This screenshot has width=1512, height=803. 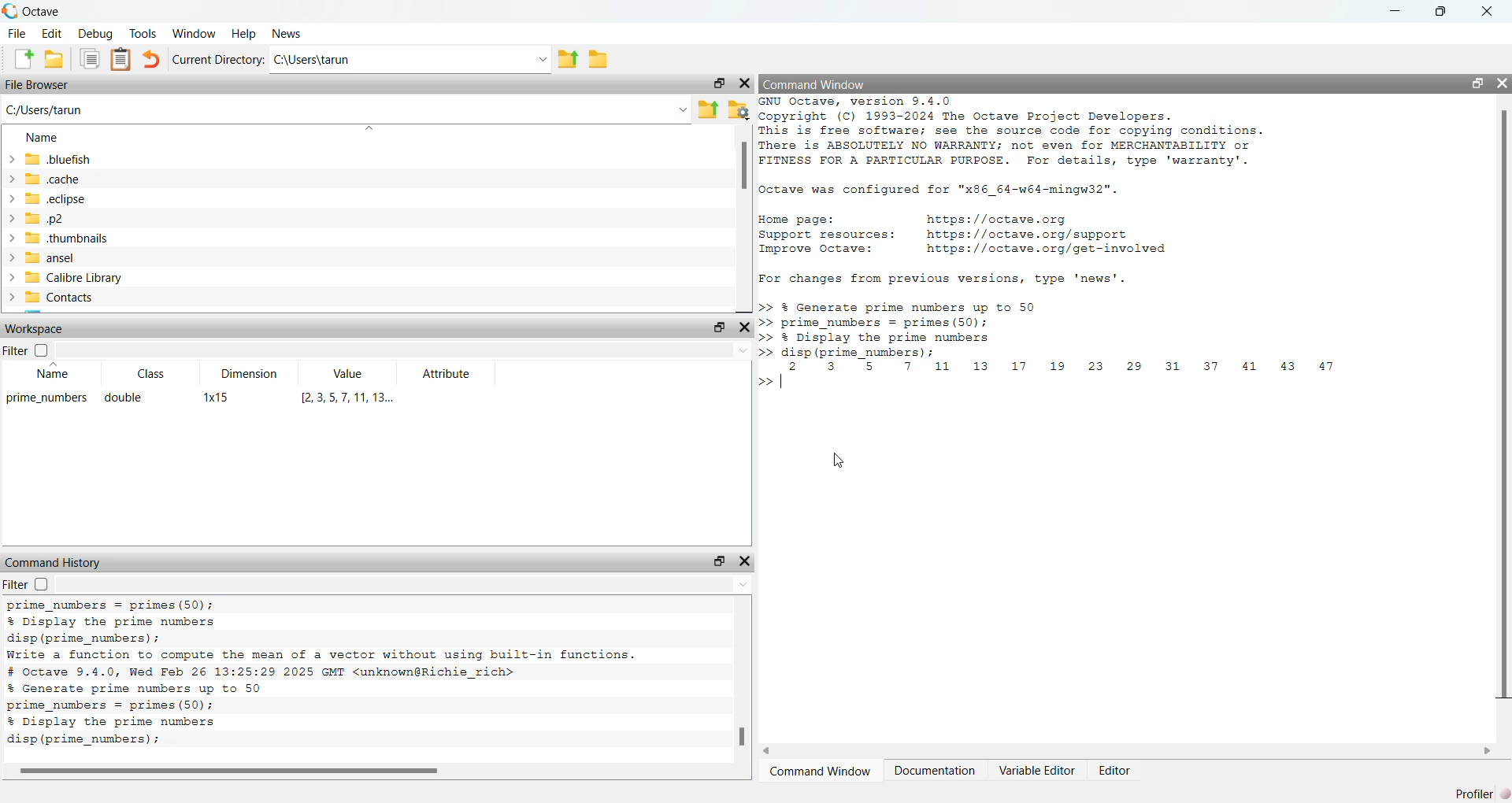 I want to click on open in separate window, so click(x=721, y=561).